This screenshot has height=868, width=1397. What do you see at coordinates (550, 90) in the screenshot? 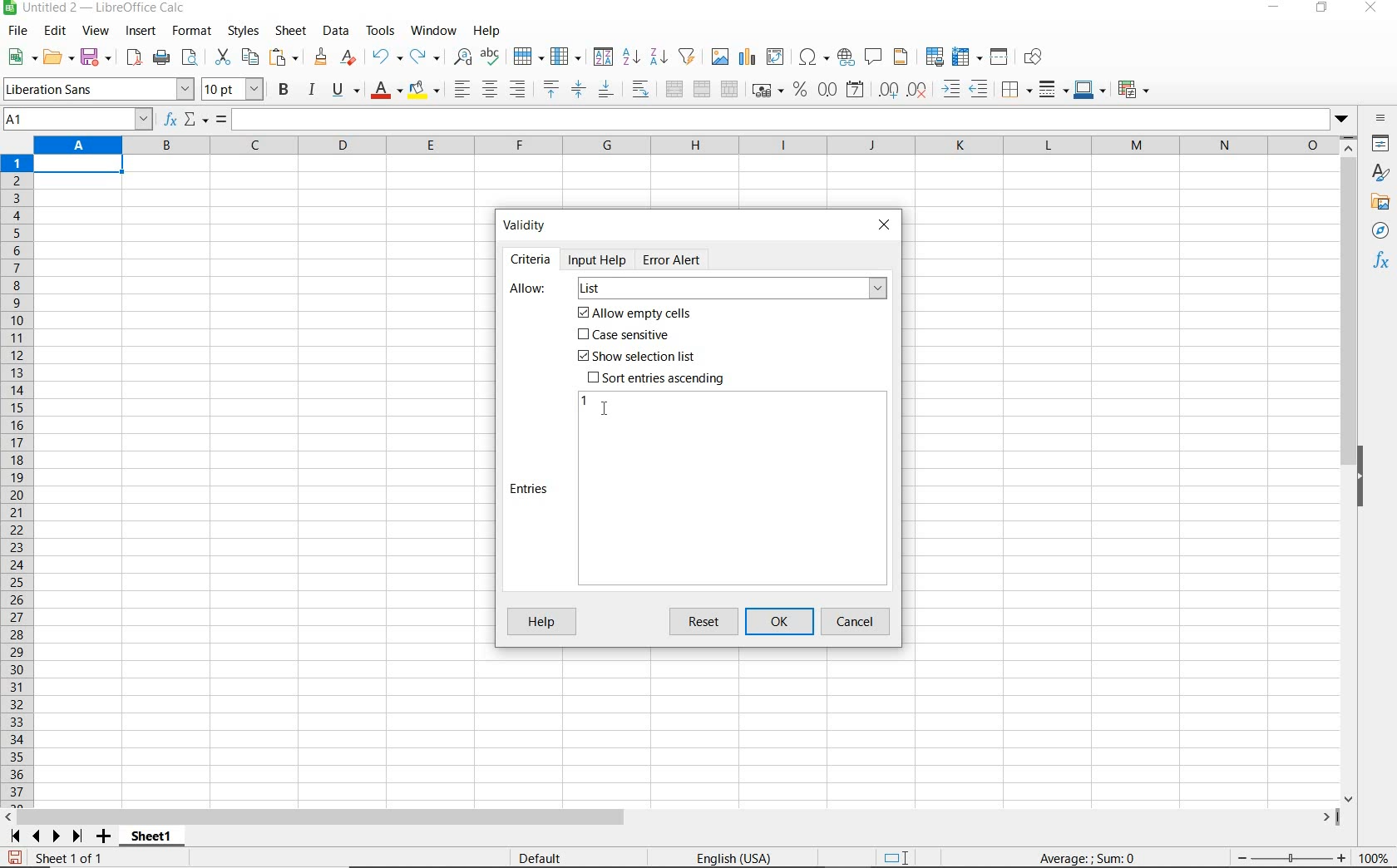
I see `align top` at bounding box center [550, 90].